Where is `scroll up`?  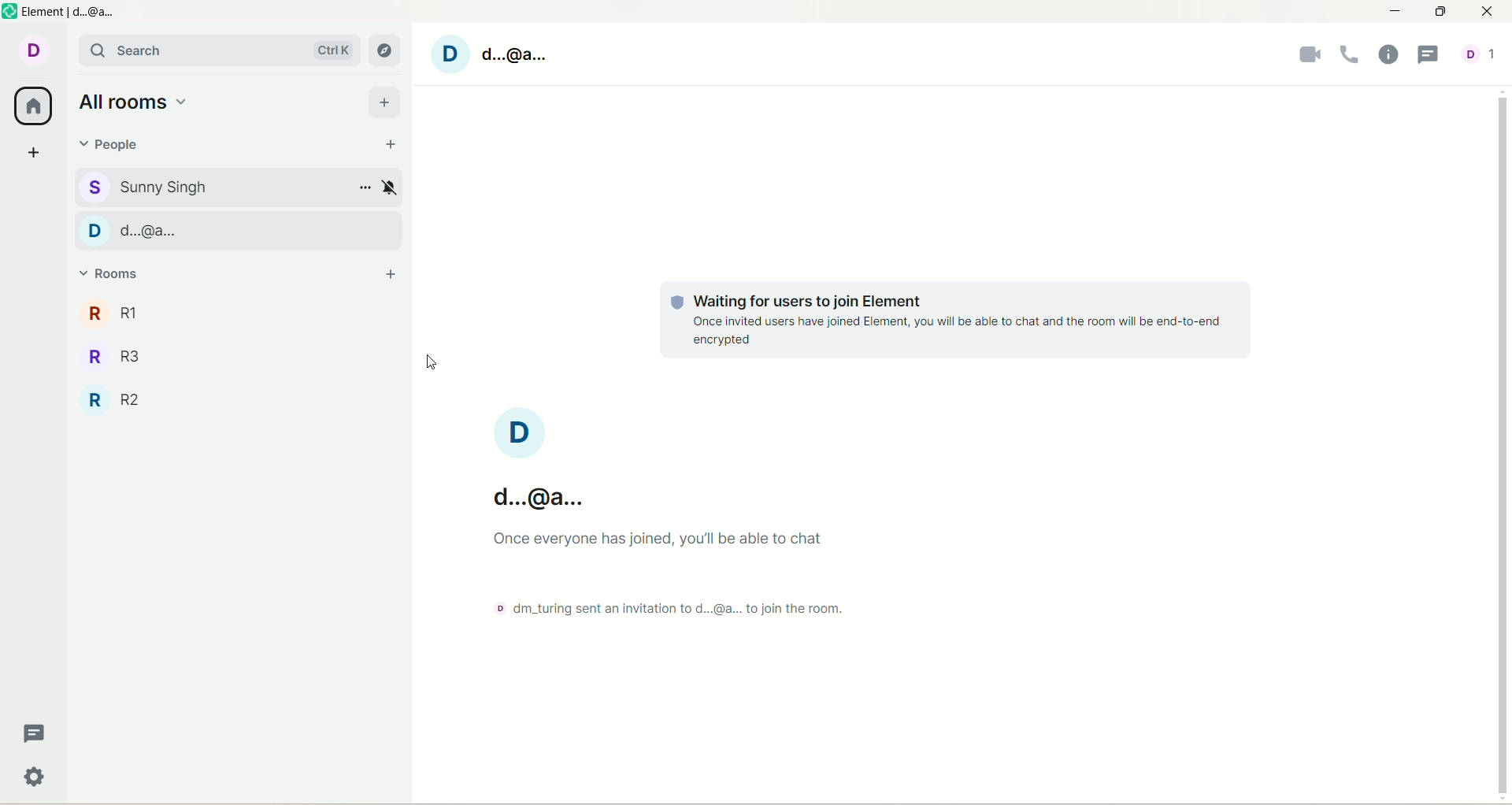 scroll up is located at coordinates (1503, 91).